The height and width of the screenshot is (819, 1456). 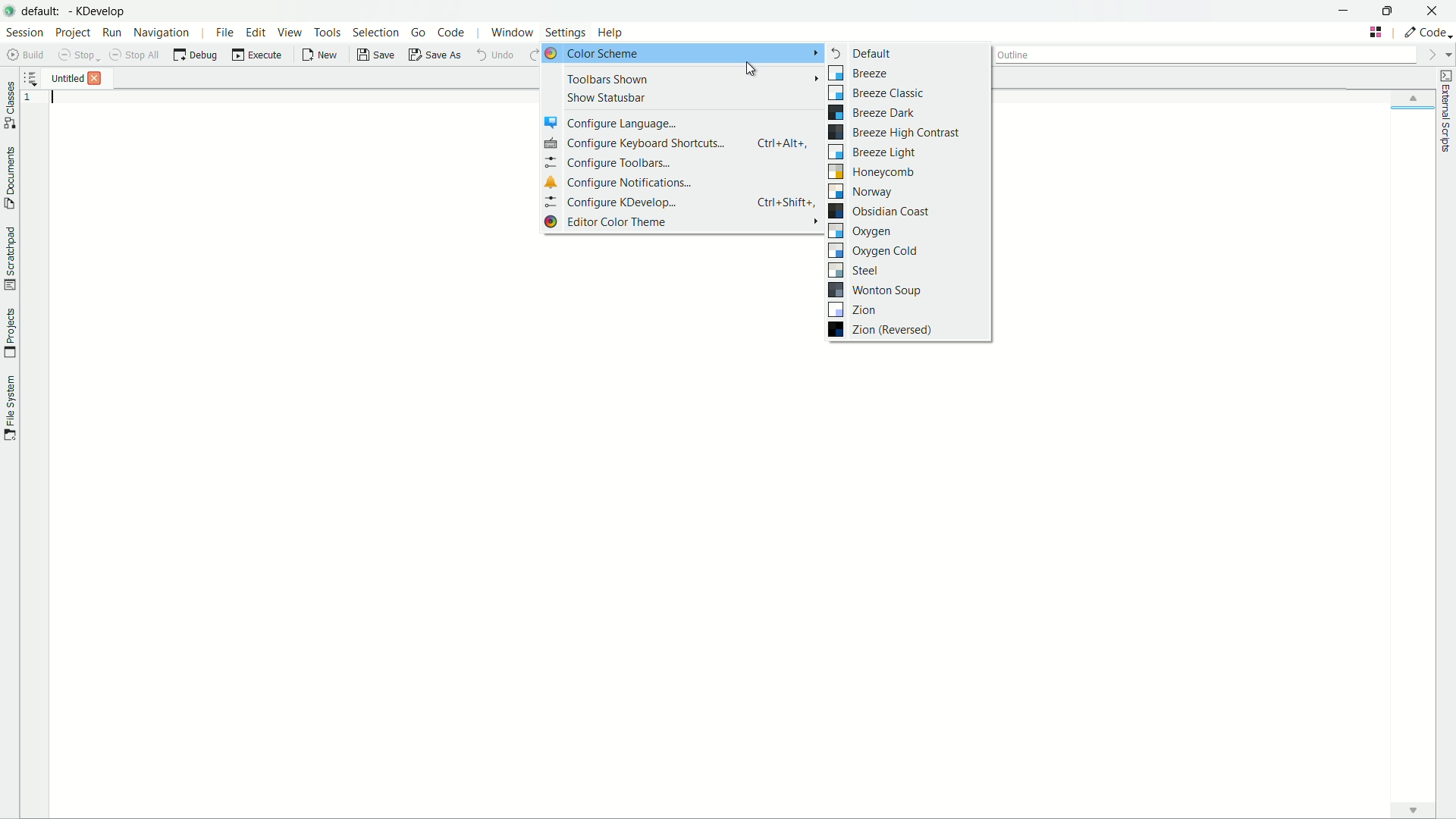 What do you see at coordinates (44, 11) in the screenshot?
I see `default` at bounding box center [44, 11].